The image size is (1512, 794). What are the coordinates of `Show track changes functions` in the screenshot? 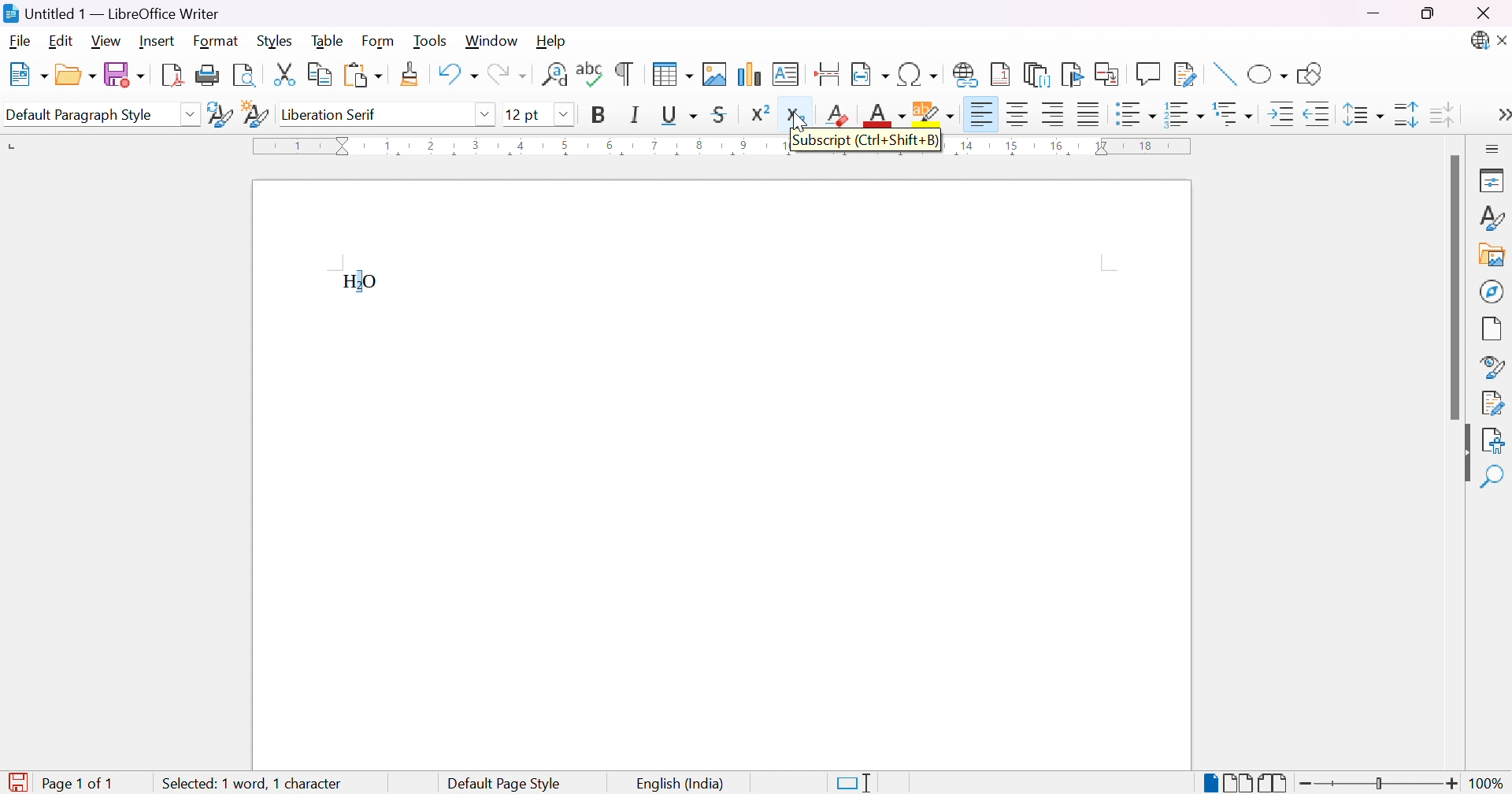 It's located at (1185, 75).